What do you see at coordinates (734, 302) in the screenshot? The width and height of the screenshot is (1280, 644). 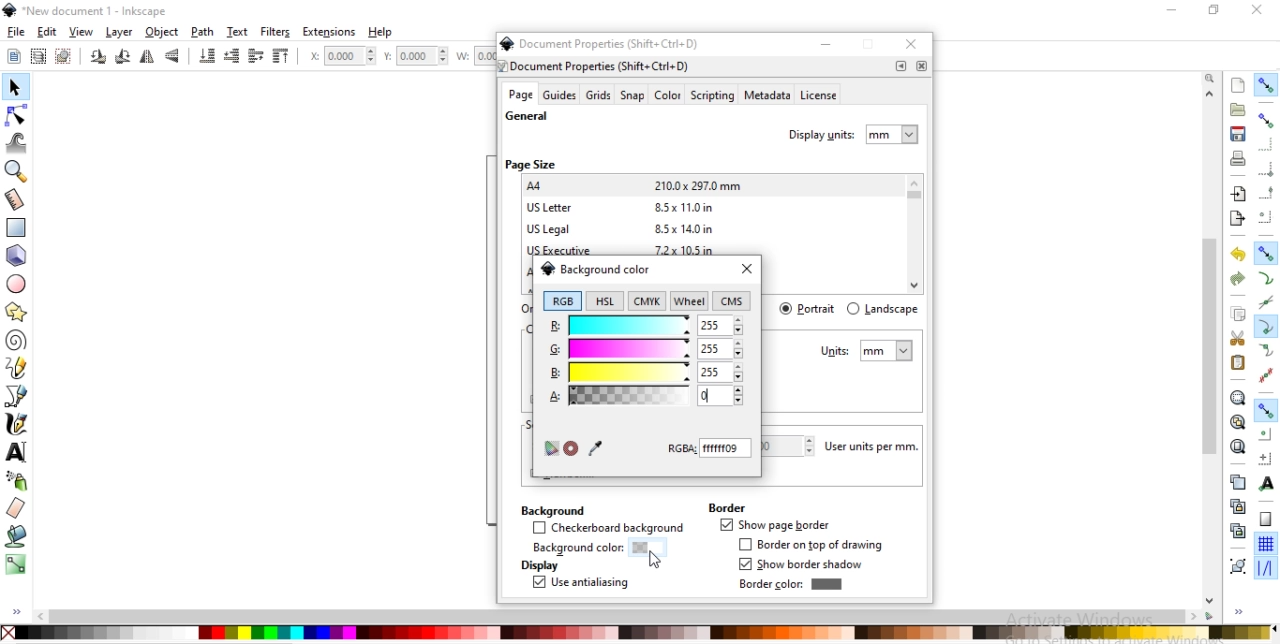 I see `cms` at bounding box center [734, 302].